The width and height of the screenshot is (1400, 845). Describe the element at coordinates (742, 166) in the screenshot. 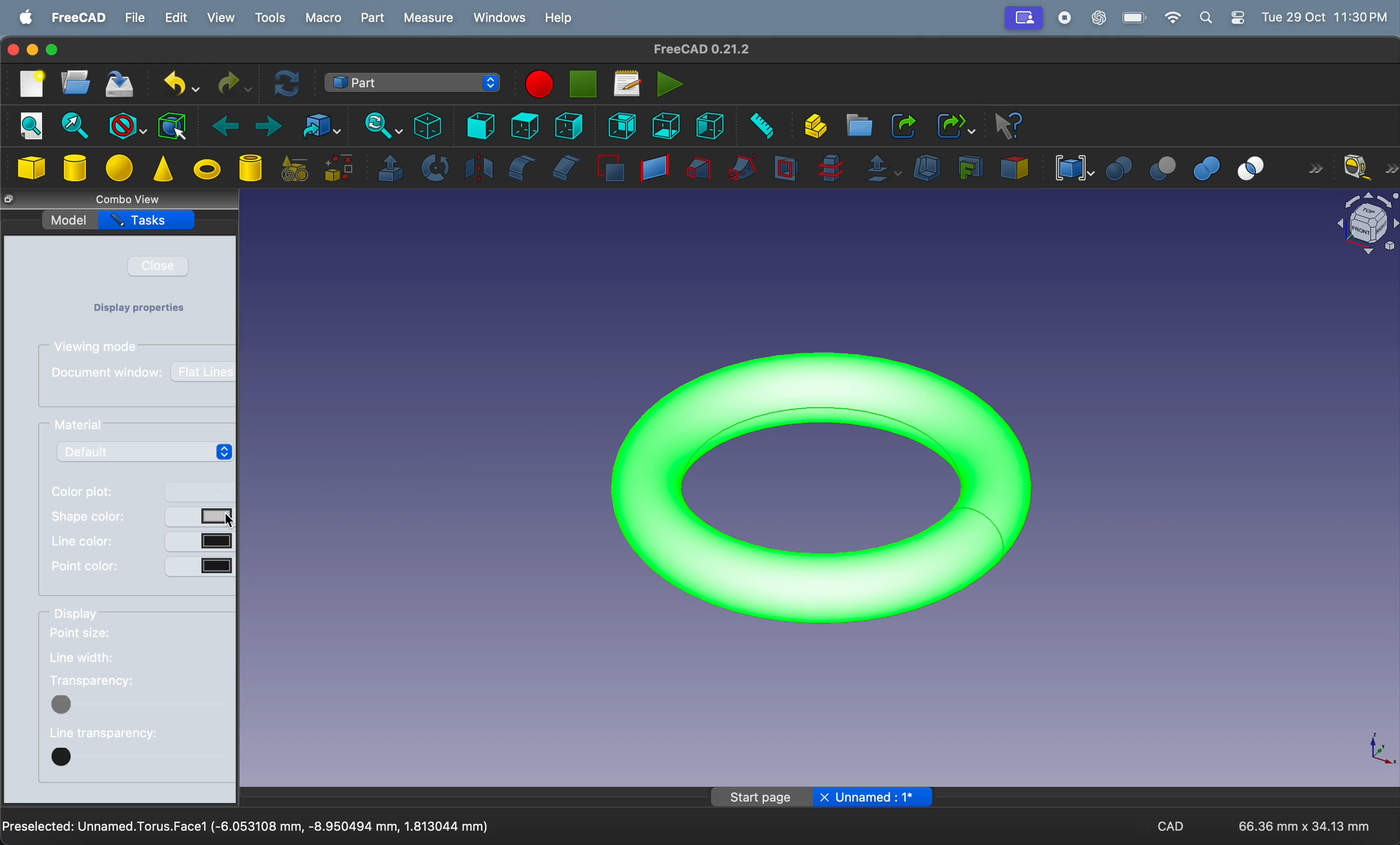

I see `sweep` at that location.